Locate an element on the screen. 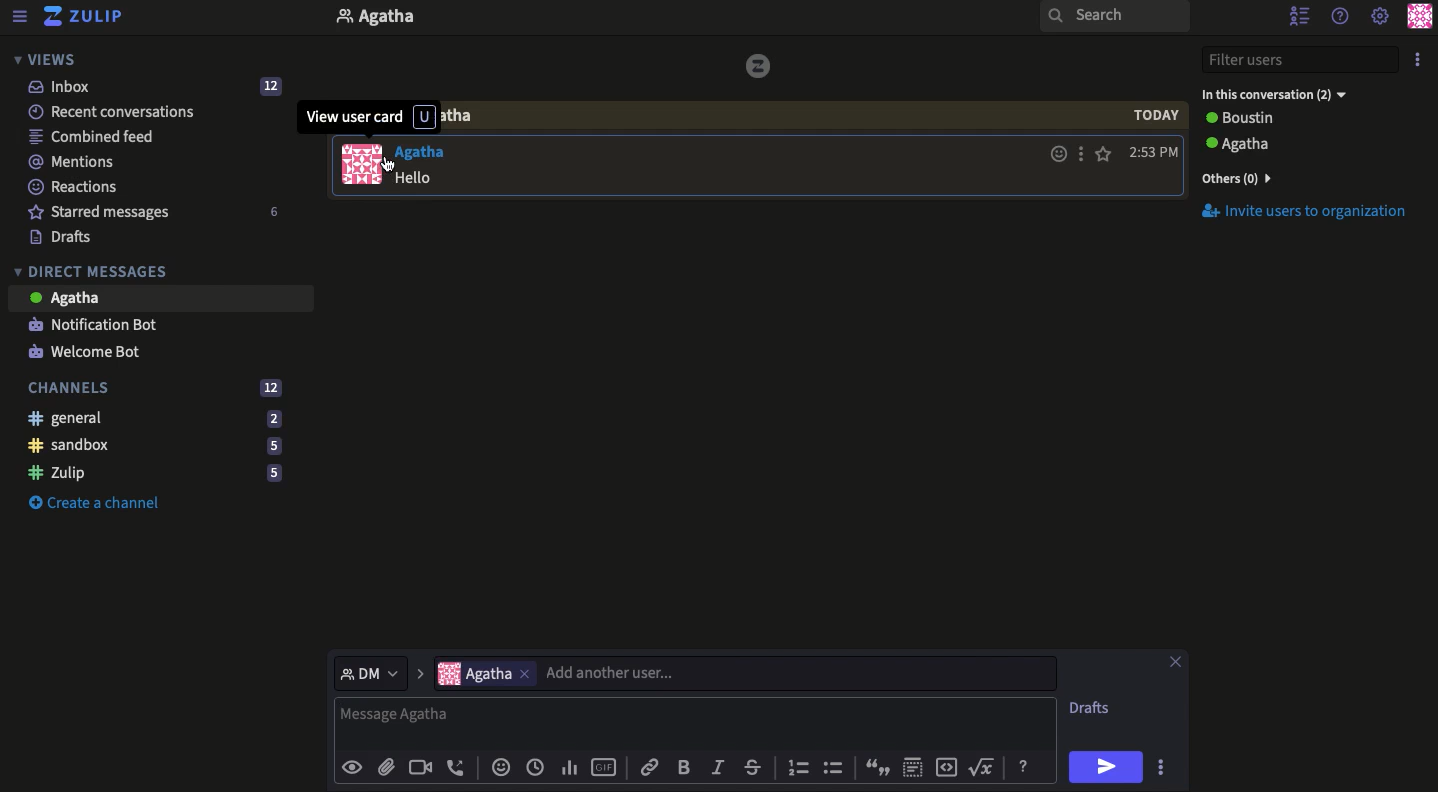 Image resolution: width=1438 pixels, height=792 pixels.  is located at coordinates (524, 673).